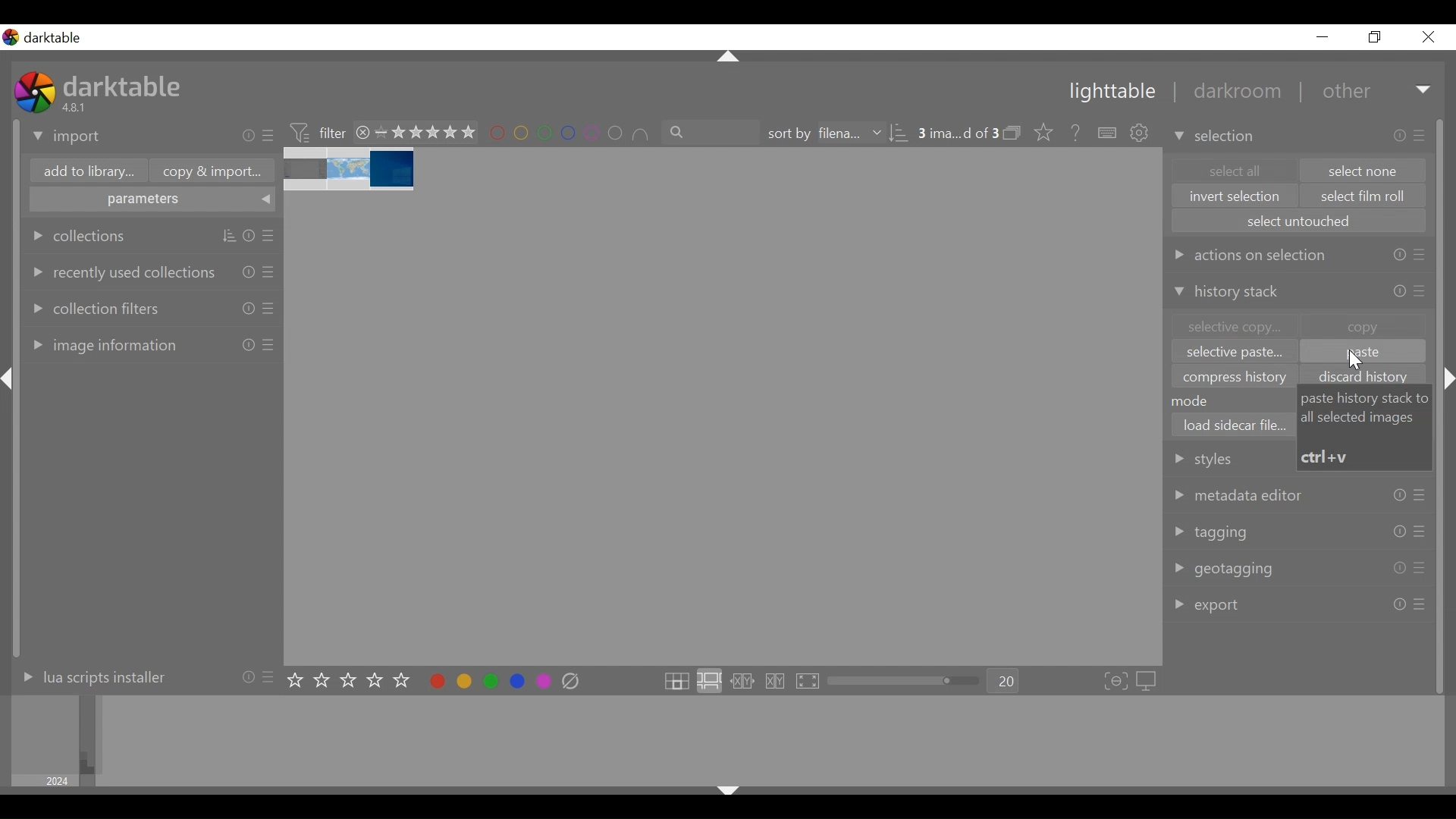 The width and height of the screenshot is (1456, 819). What do you see at coordinates (1240, 494) in the screenshot?
I see `metadata editor` at bounding box center [1240, 494].